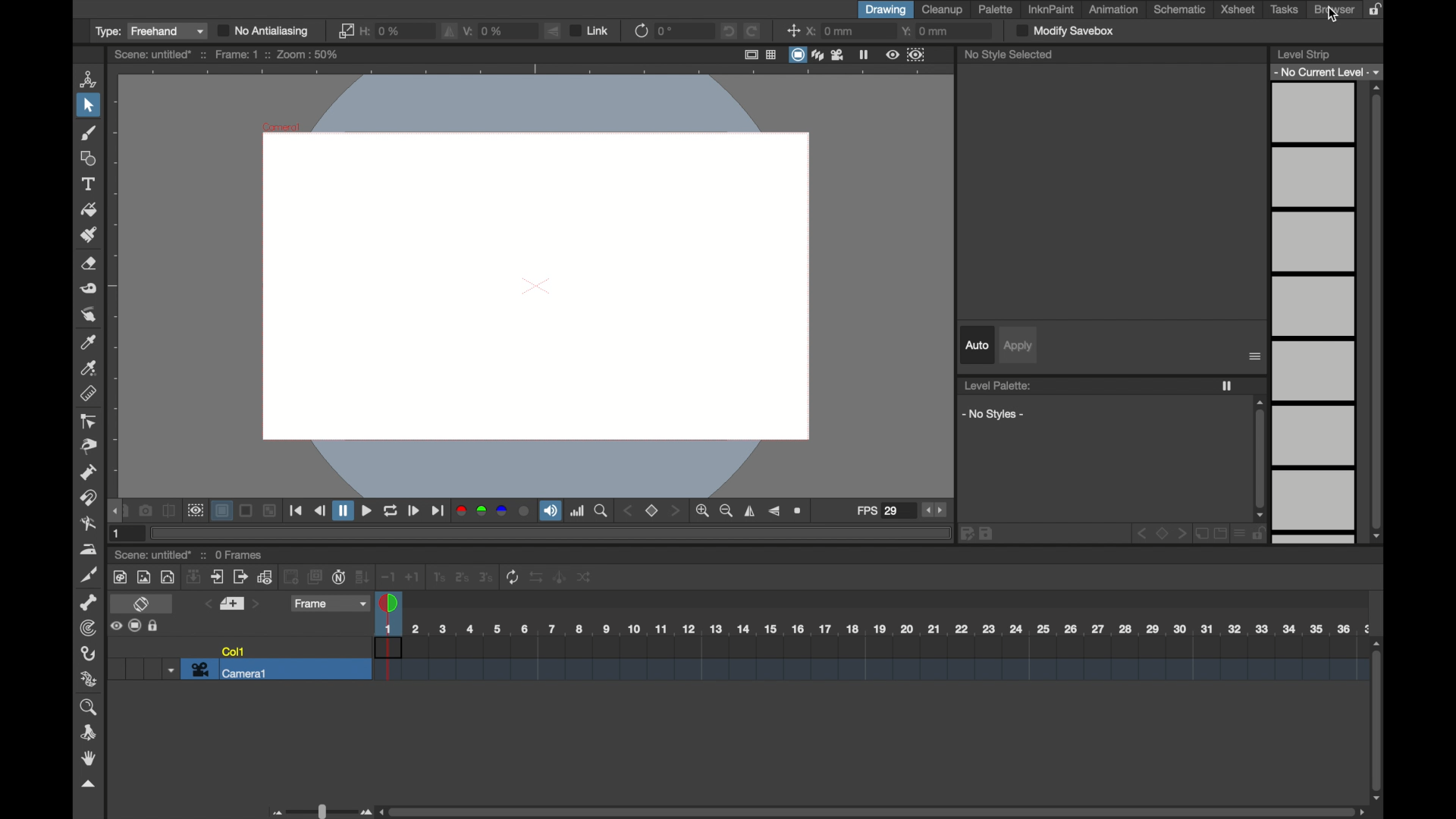  Describe the element at coordinates (342, 510) in the screenshot. I see `pause` at that location.